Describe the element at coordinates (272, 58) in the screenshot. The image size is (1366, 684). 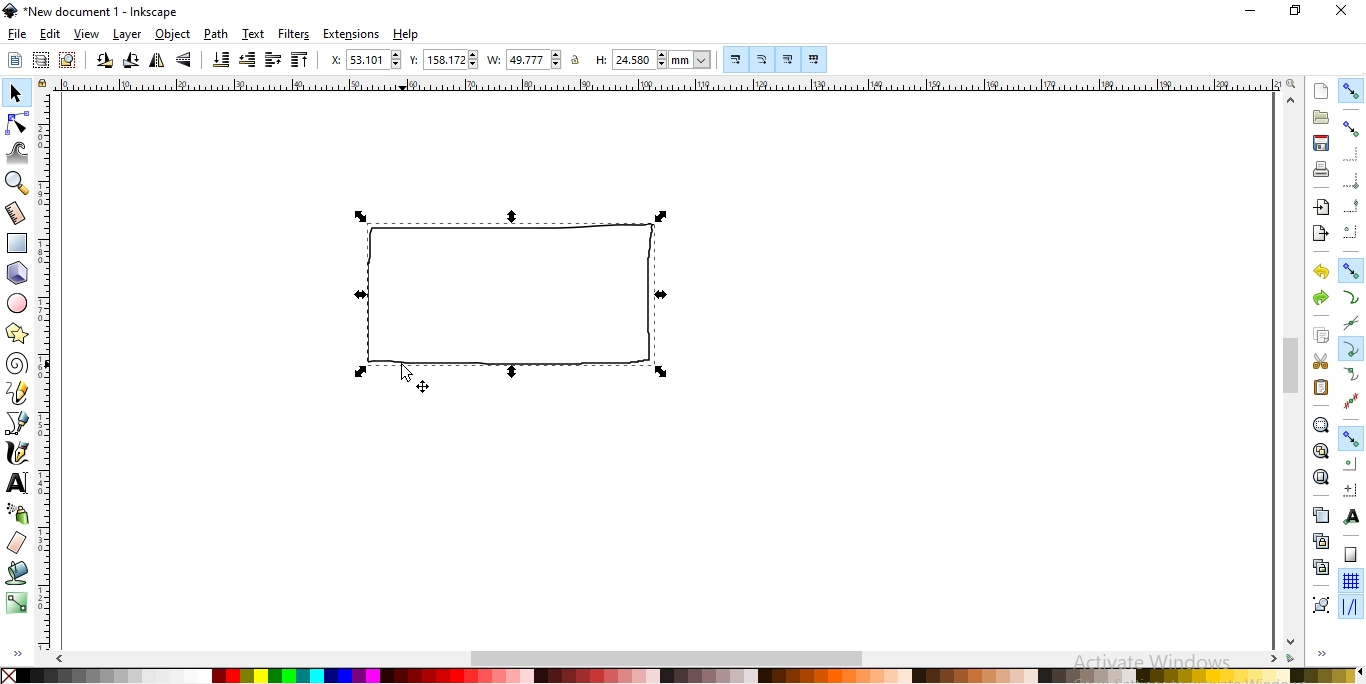
I see `raise selection one step` at that location.